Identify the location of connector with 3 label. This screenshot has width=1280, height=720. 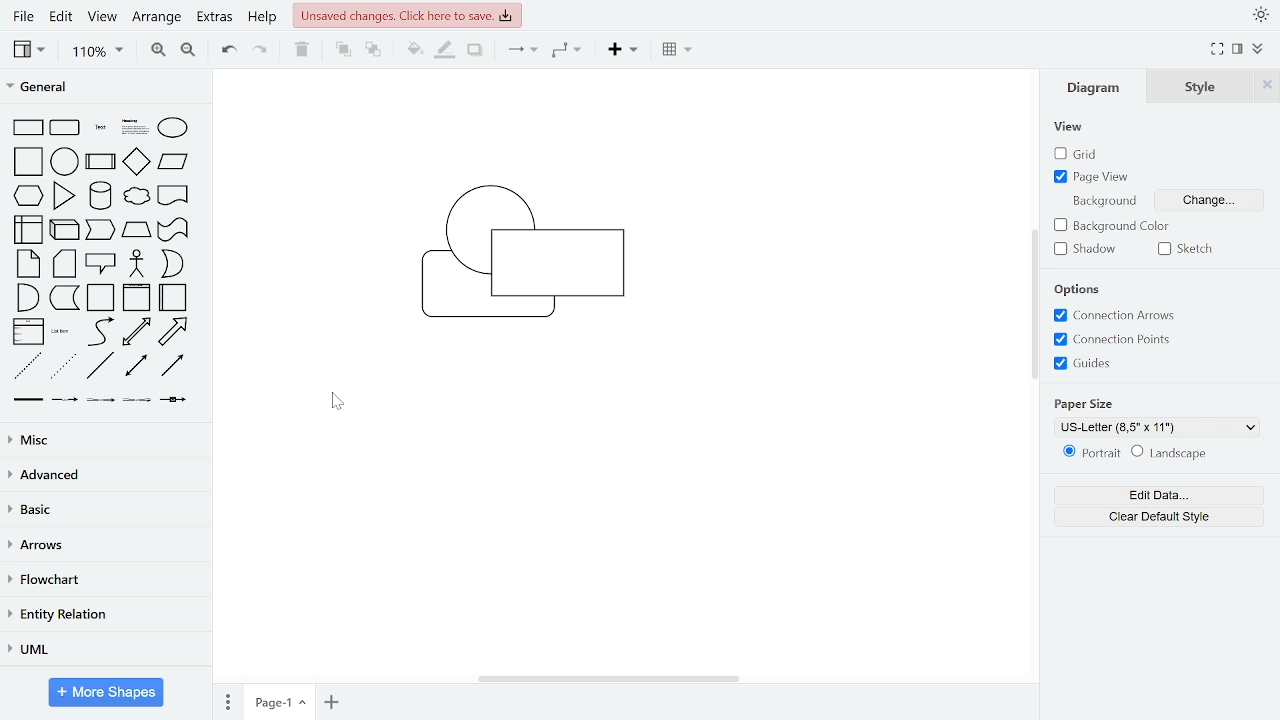
(139, 401).